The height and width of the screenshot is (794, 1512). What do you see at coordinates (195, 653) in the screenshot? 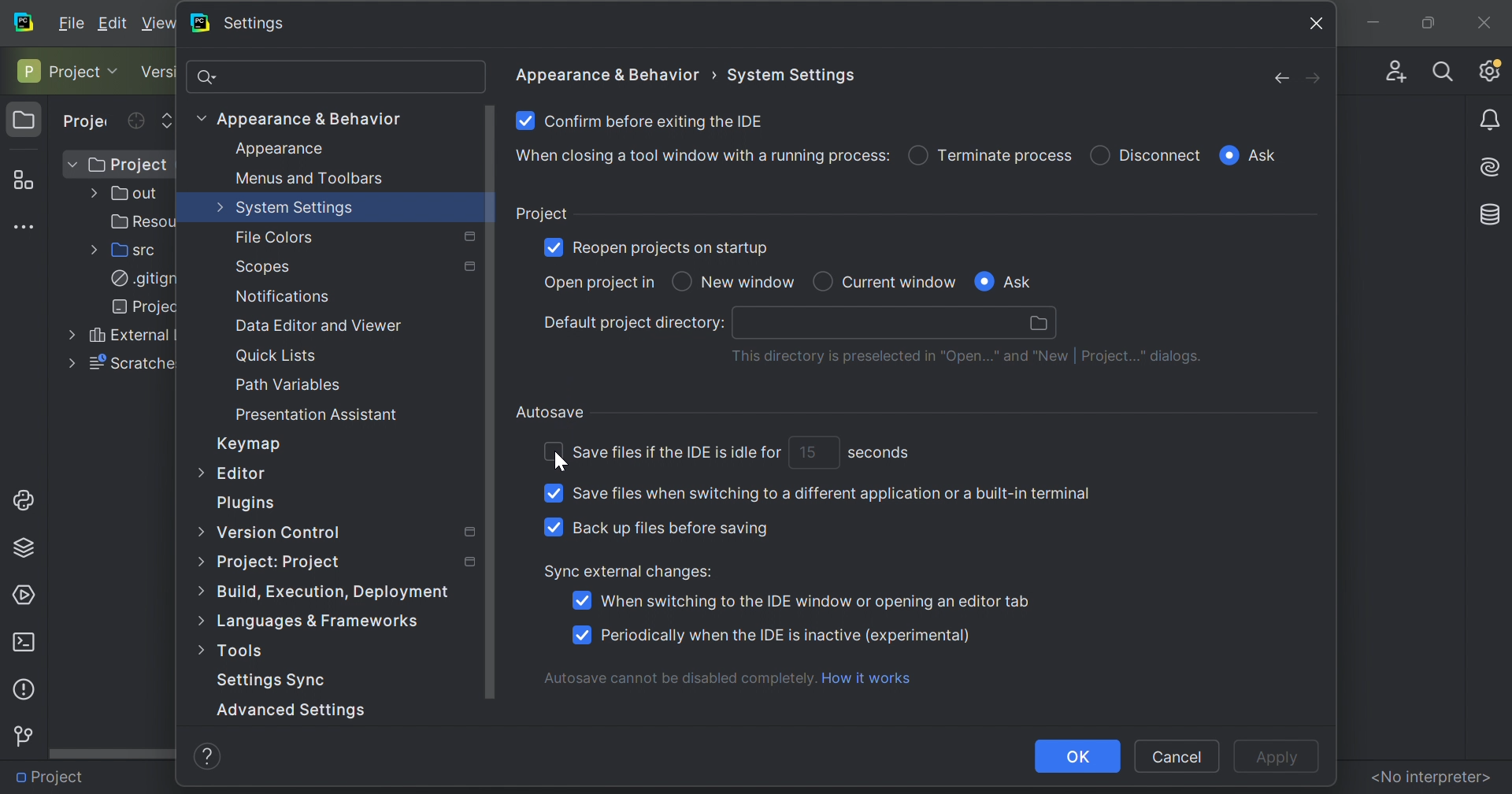
I see `More` at bounding box center [195, 653].